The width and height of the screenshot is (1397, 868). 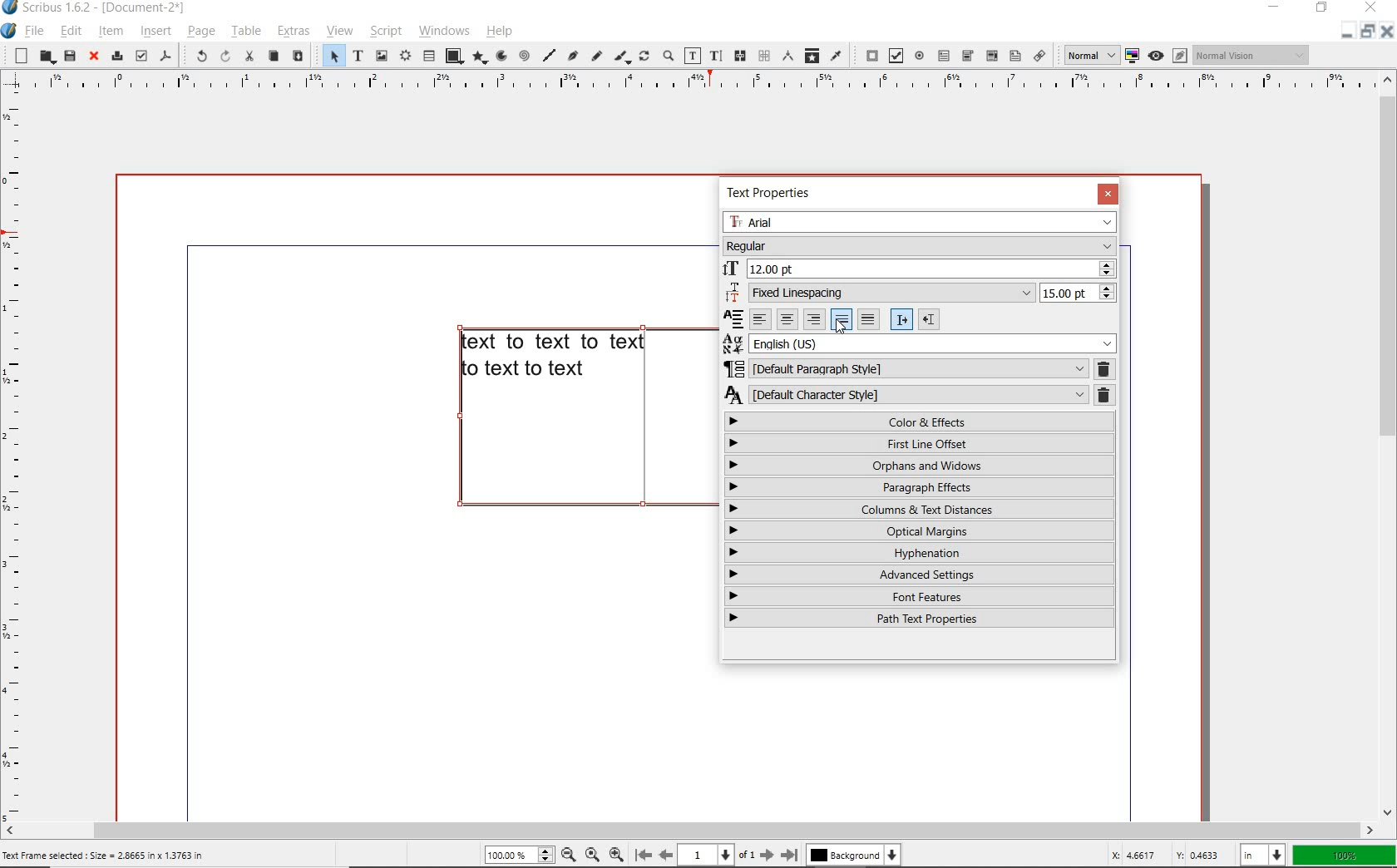 I want to click on text frame, so click(x=358, y=56).